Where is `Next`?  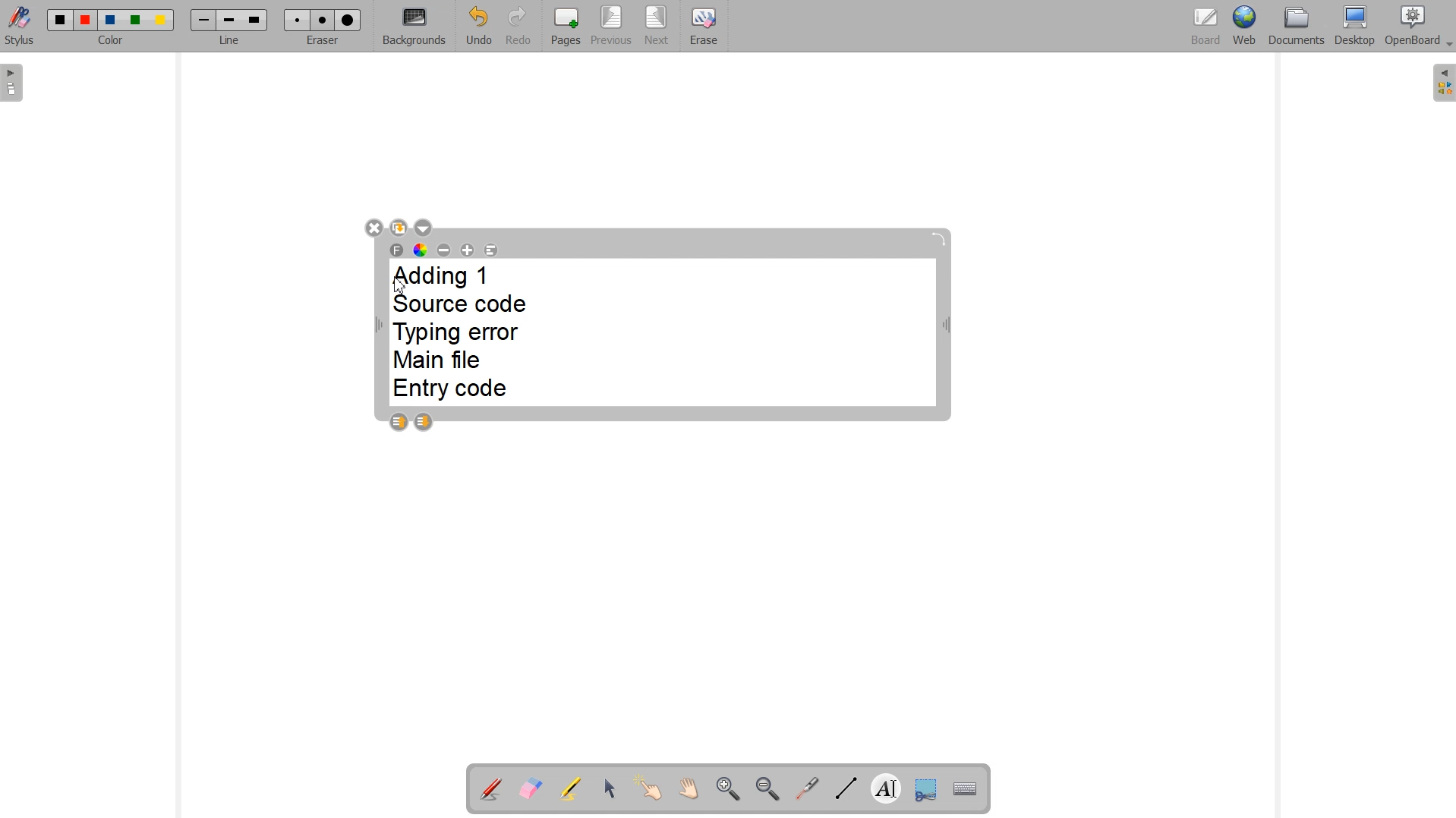
Next is located at coordinates (656, 25).